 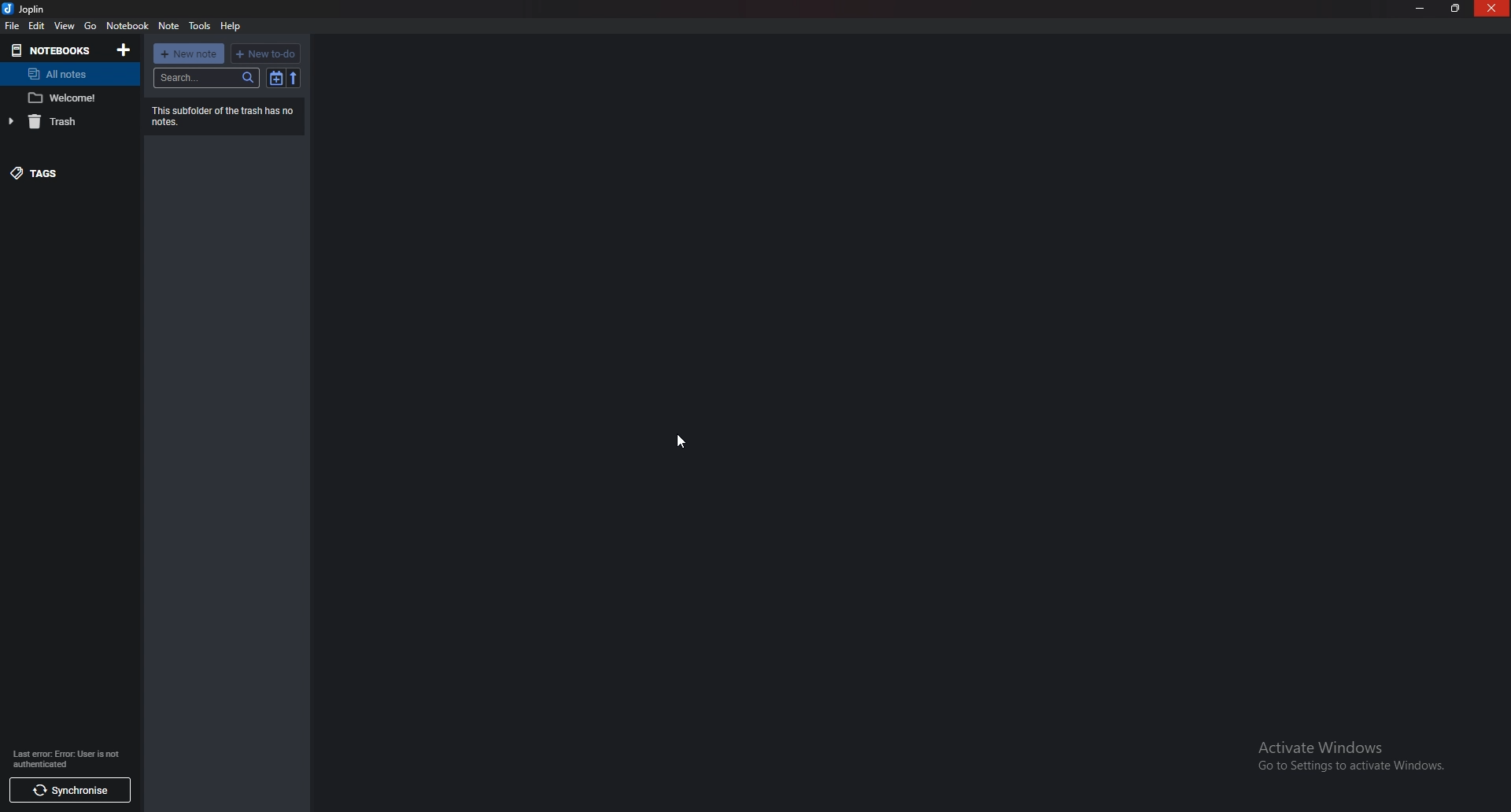 I want to click on All notes, so click(x=63, y=75).